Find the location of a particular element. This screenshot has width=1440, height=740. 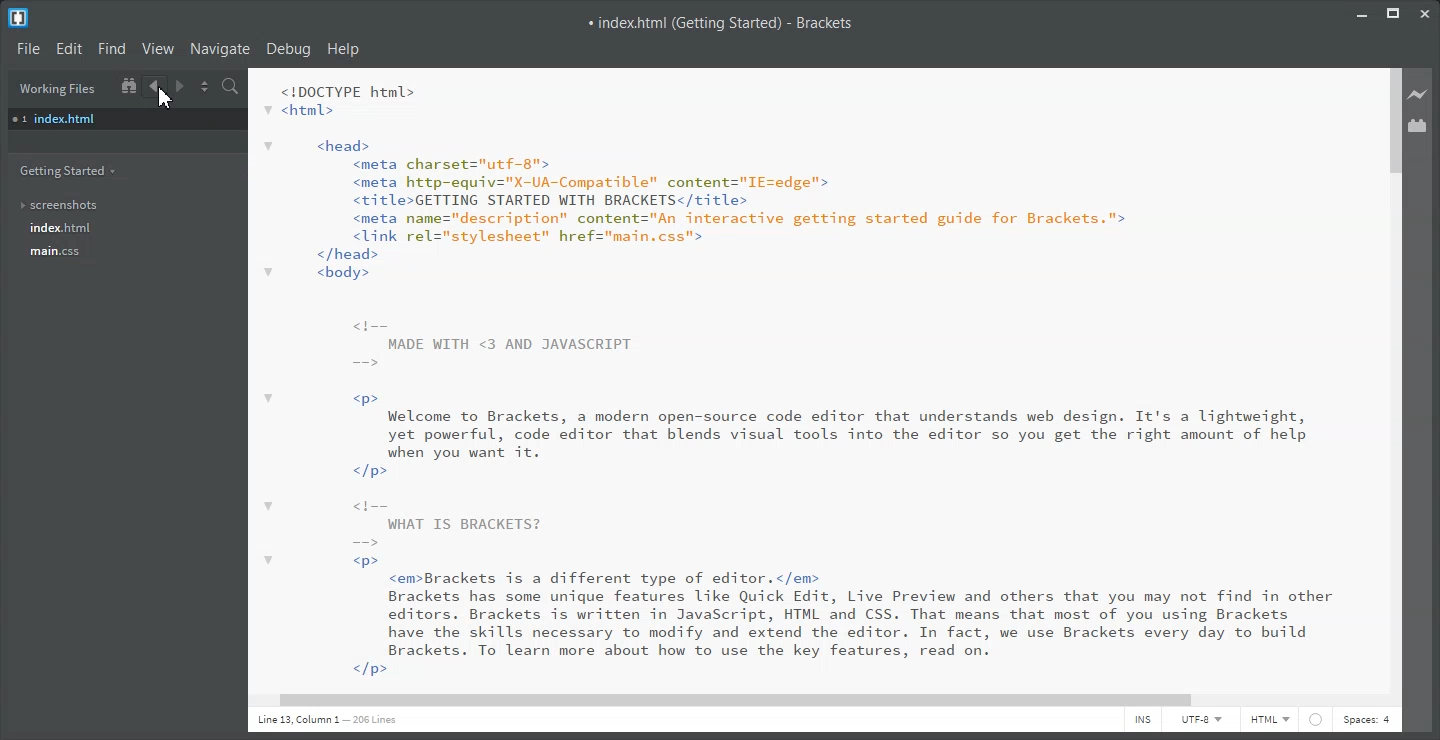

Live Preview is located at coordinates (1421, 94).